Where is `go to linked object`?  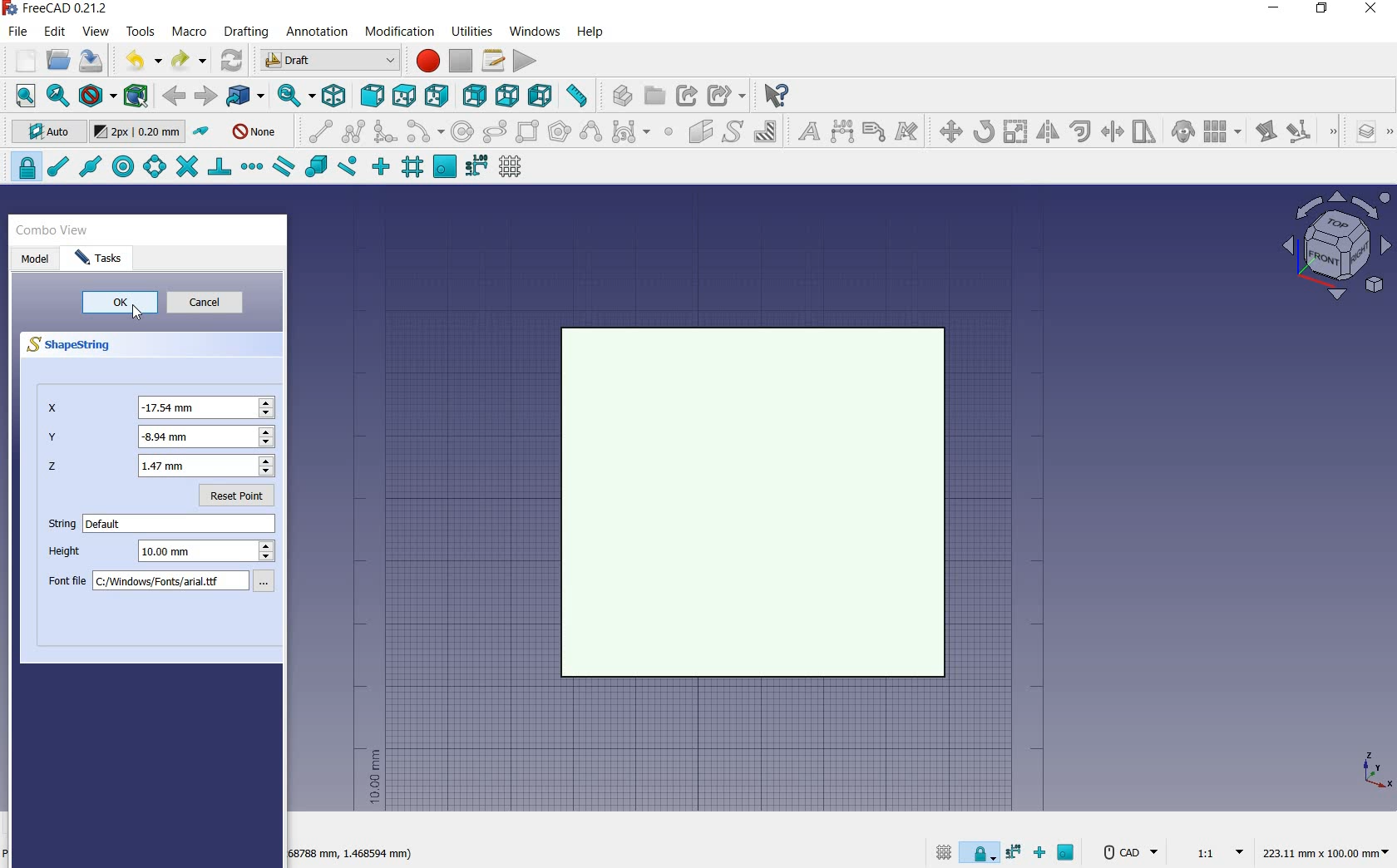 go to linked object is located at coordinates (246, 96).